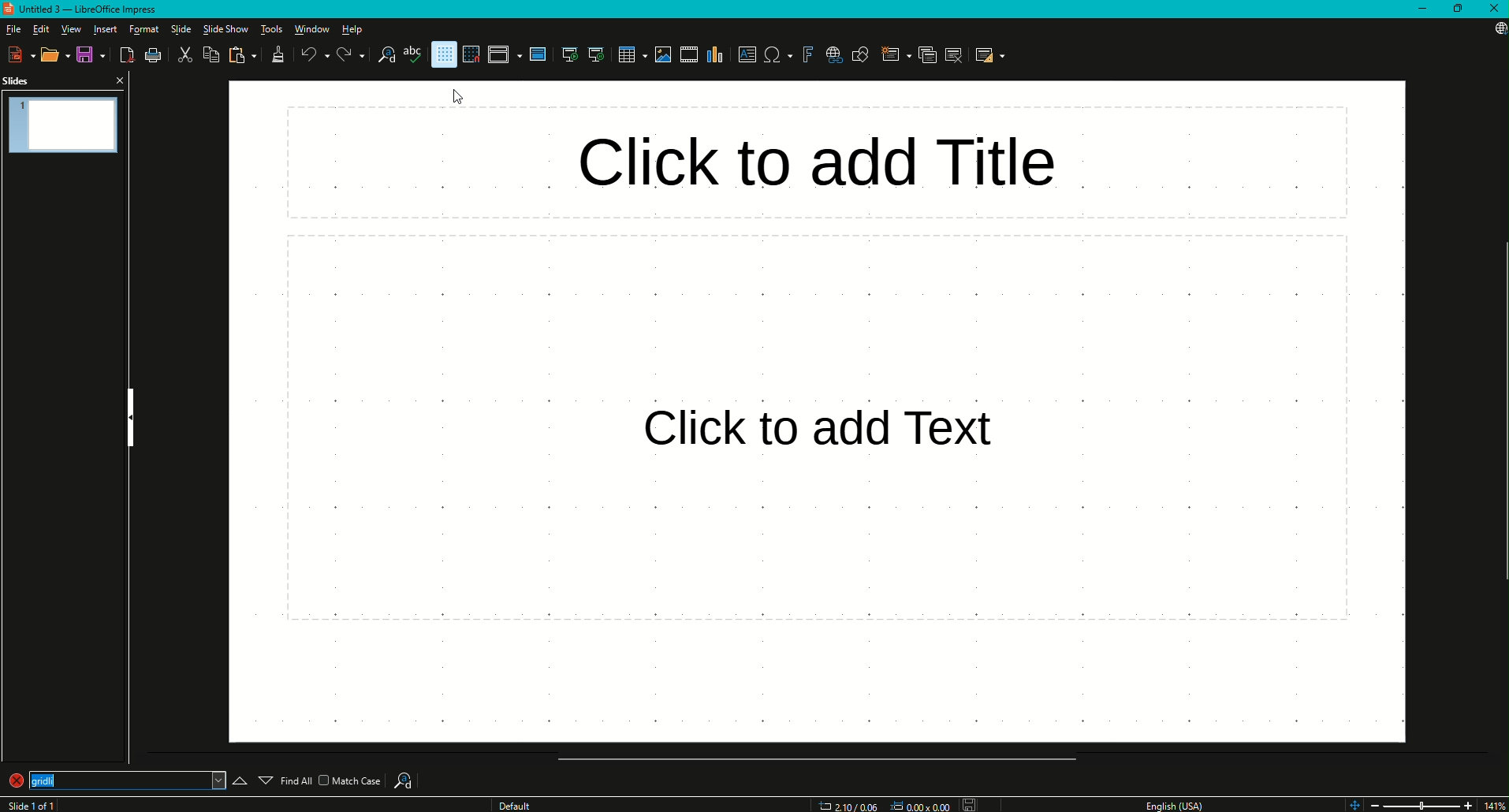 The height and width of the screenshot is (812, 1509). I want to click on Untitled - Libreoffice Impress, so click(84, 9).